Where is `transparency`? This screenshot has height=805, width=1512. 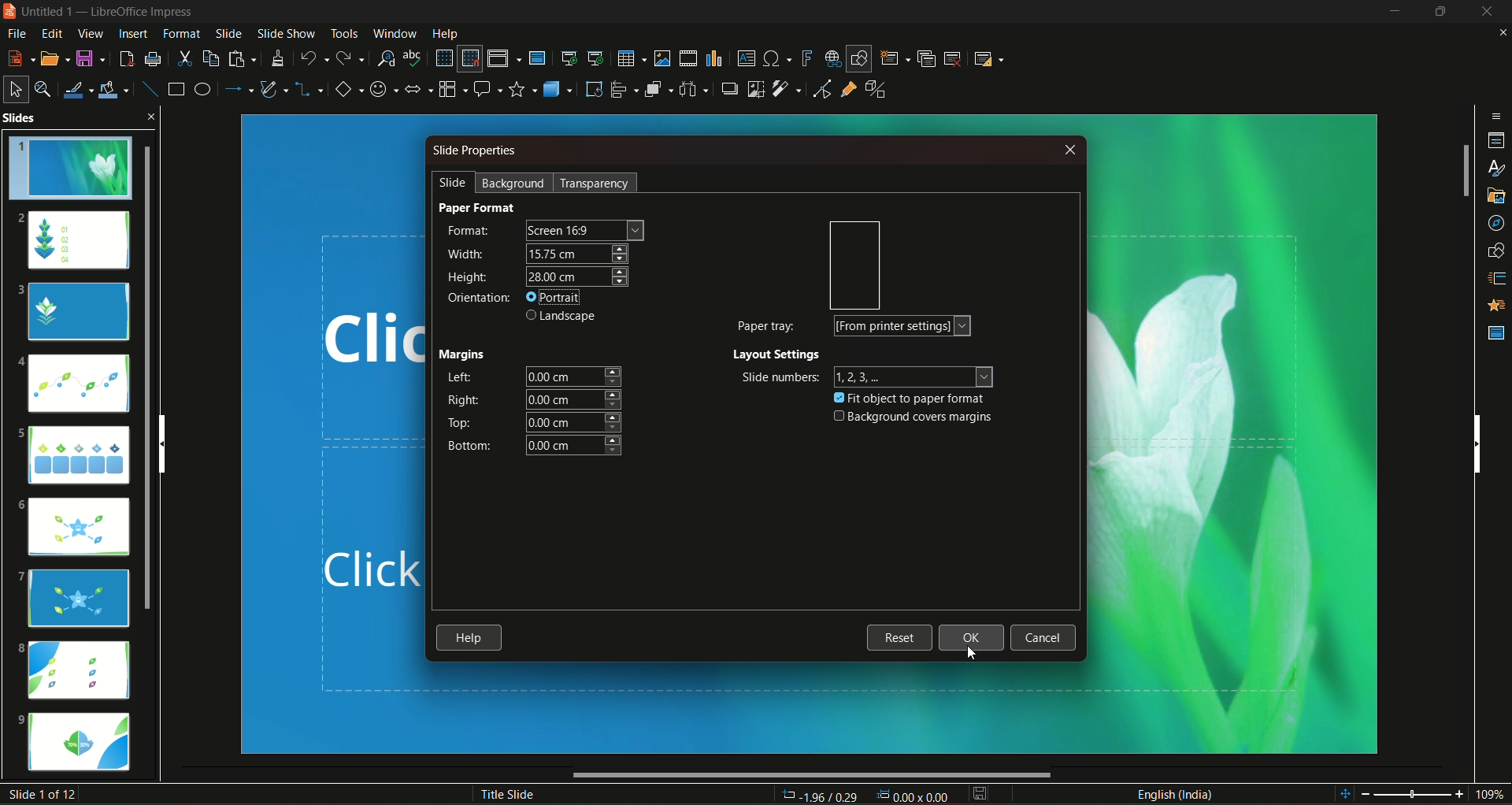
transparency is located at coordinates (595, 183).